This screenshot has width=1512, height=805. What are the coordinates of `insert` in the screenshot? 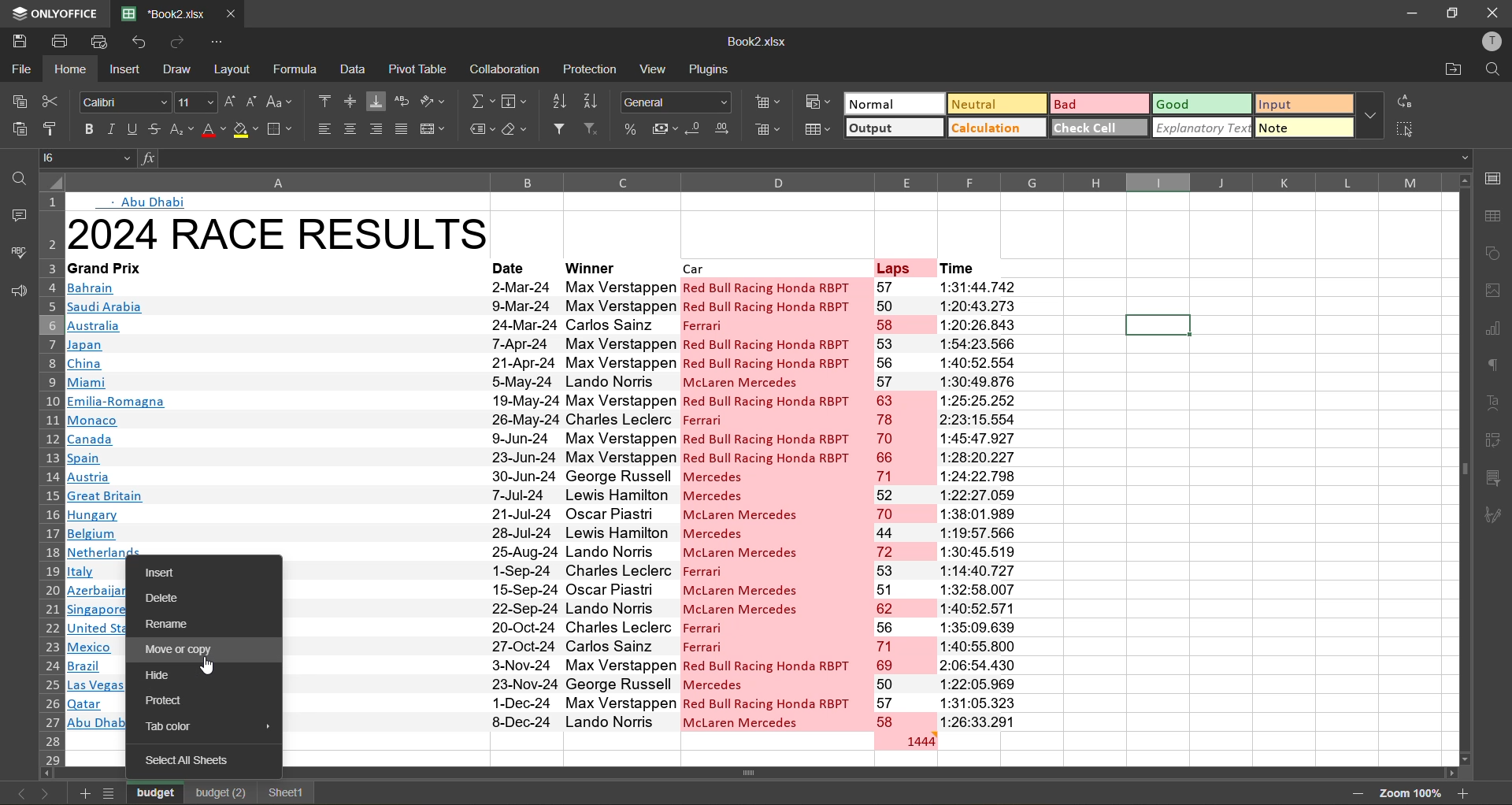 It's located at (124, 71).